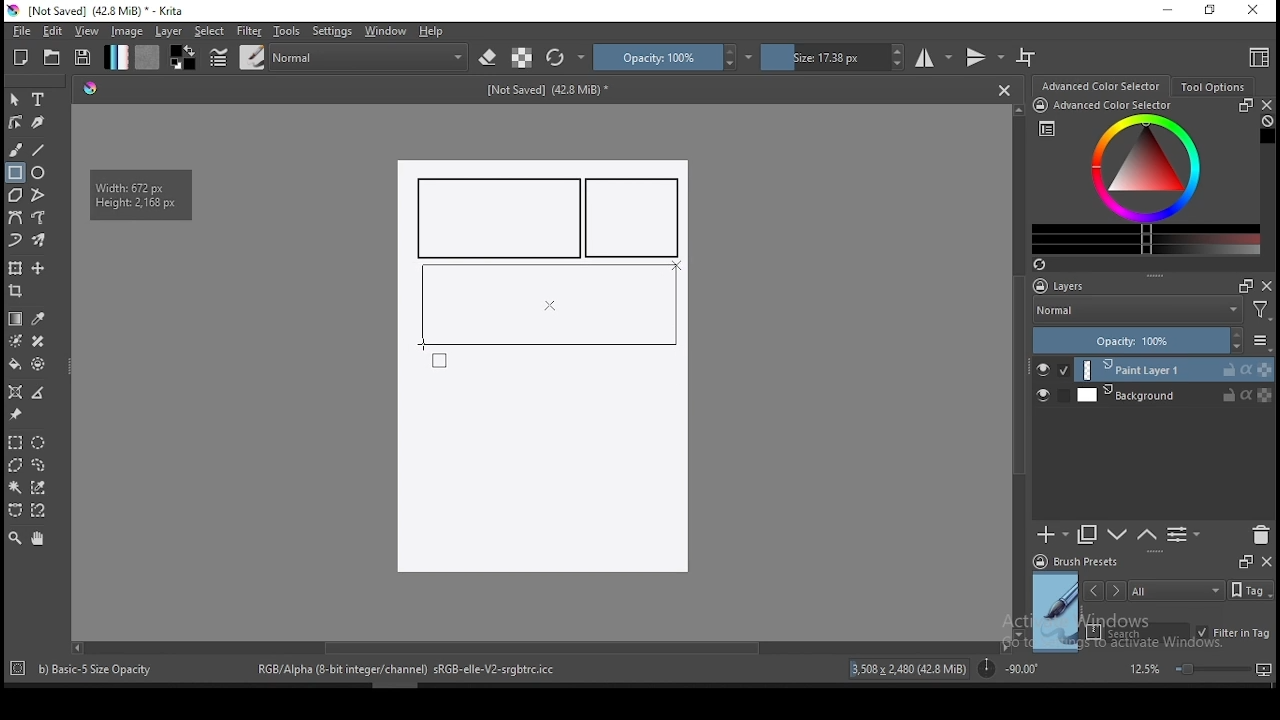  I want to click on elliptical selection tool, so click(38, 443).